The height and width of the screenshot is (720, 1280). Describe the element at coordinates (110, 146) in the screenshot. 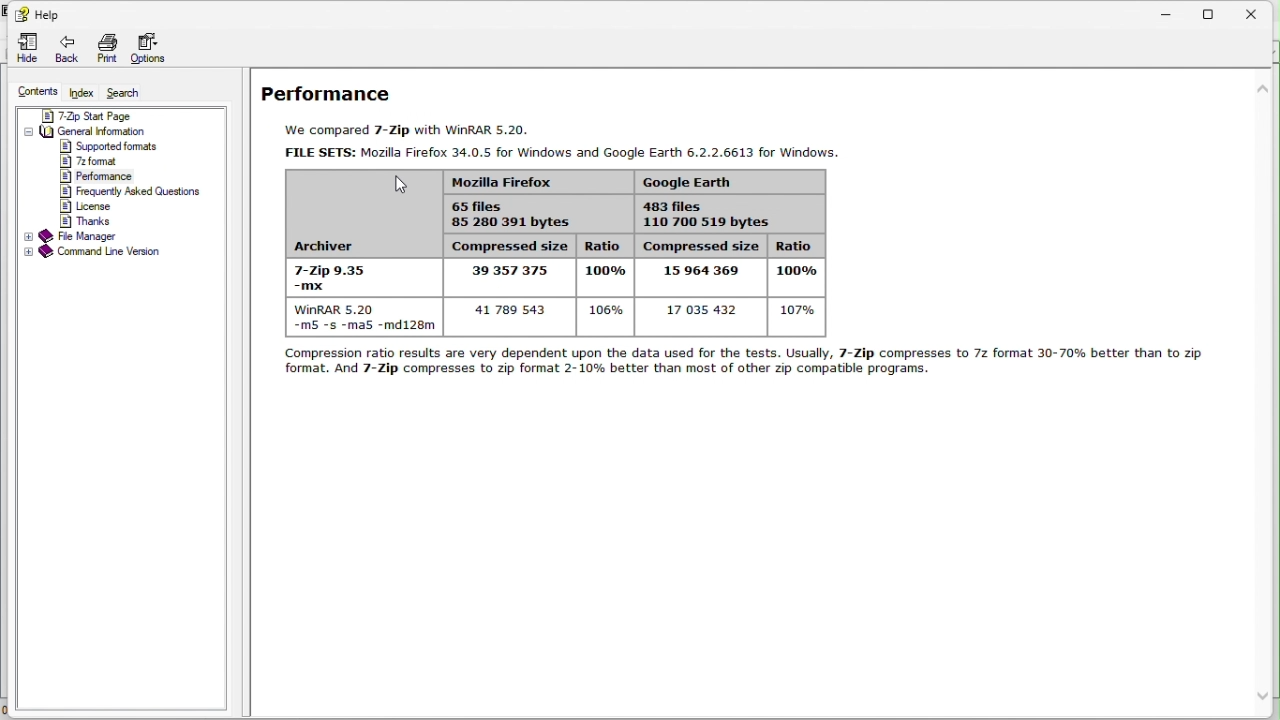

I see `Supported formats` at that location.